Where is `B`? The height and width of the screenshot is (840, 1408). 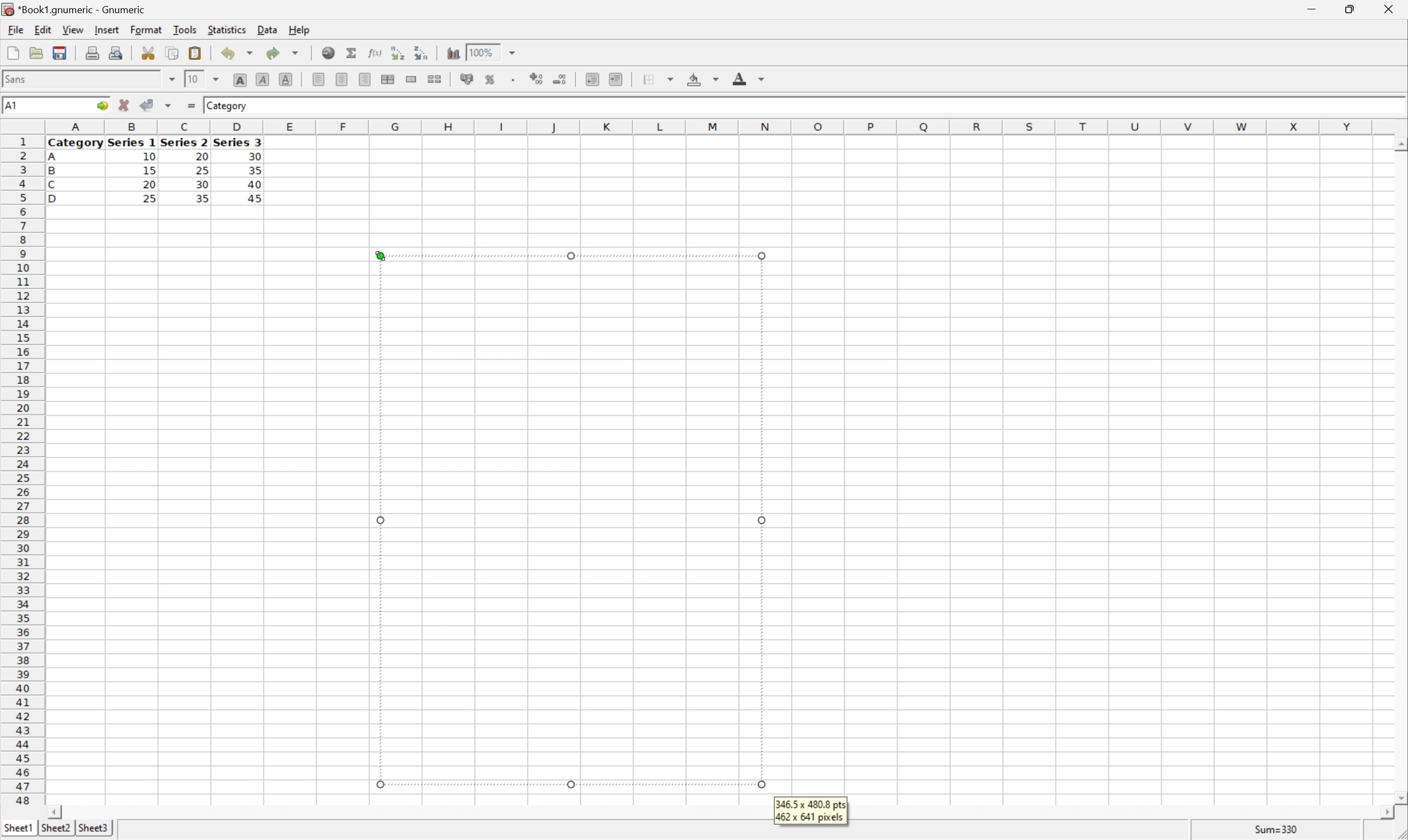
B is located at coordinates (52, 172).